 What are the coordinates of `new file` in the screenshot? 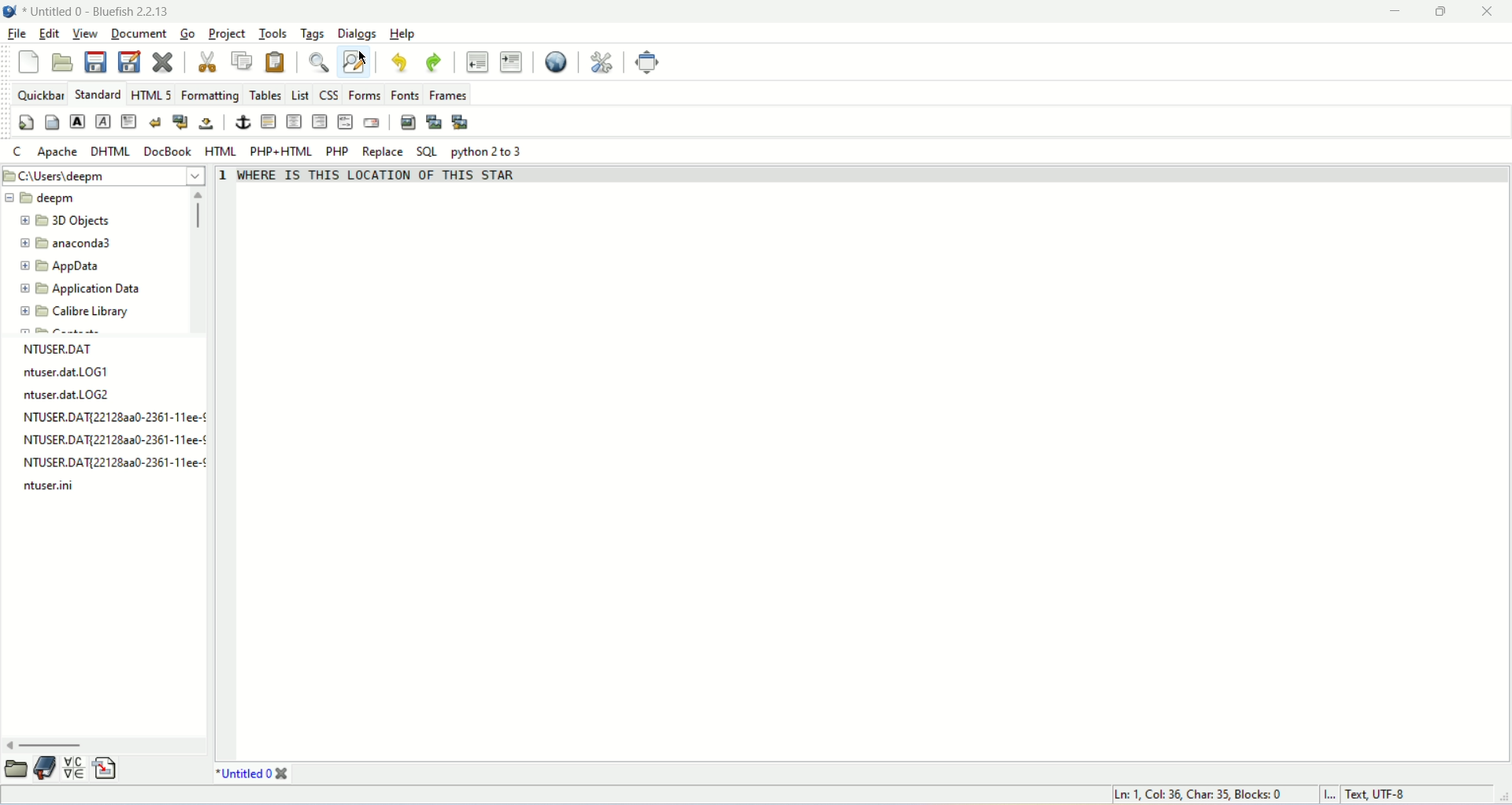 It's located at (29, 63).